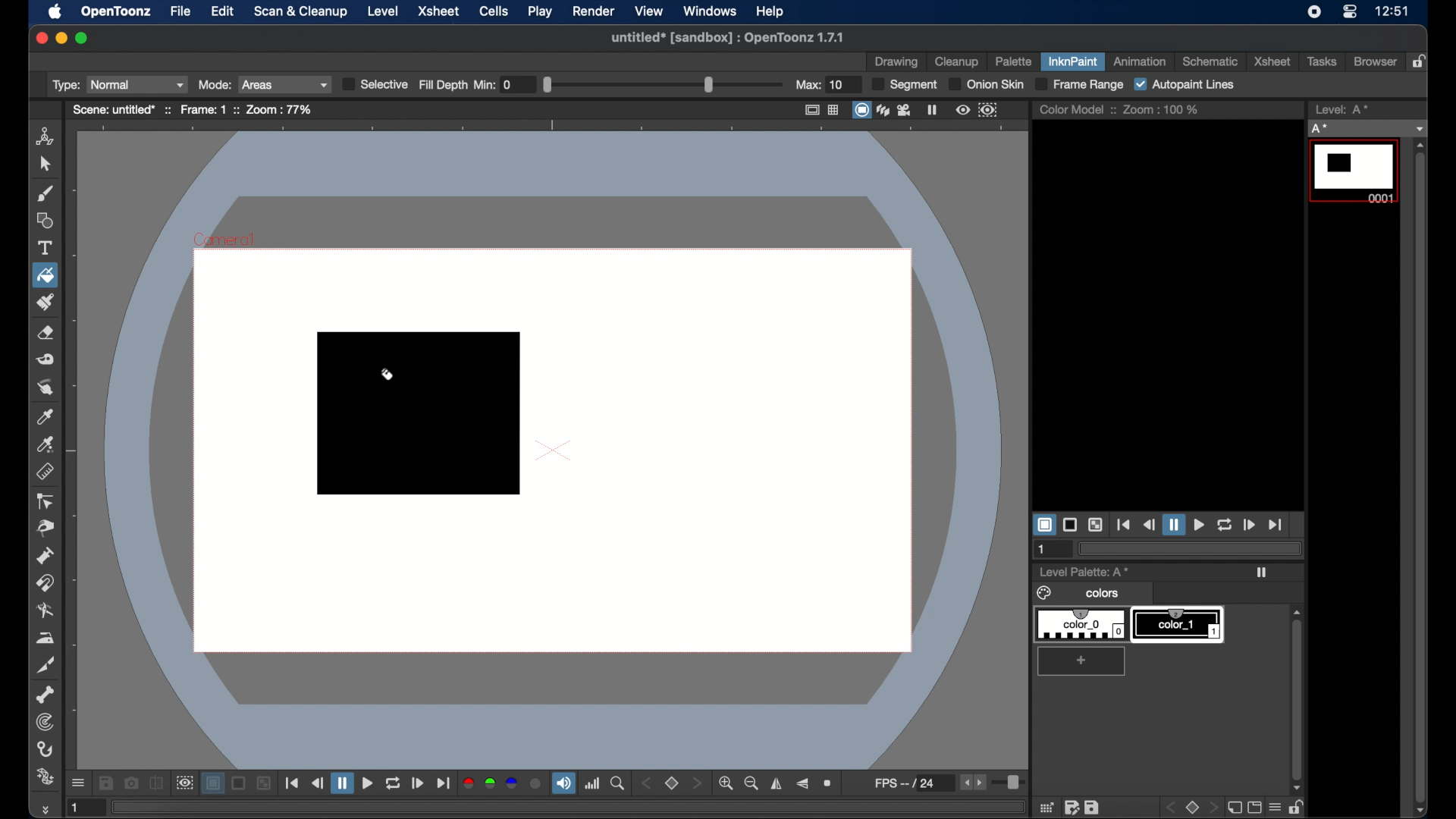 This screenshot has width=1456, height=819. Describe the element at coordinates (1321, 61) in the screenshot. I see `tasks` at that location.